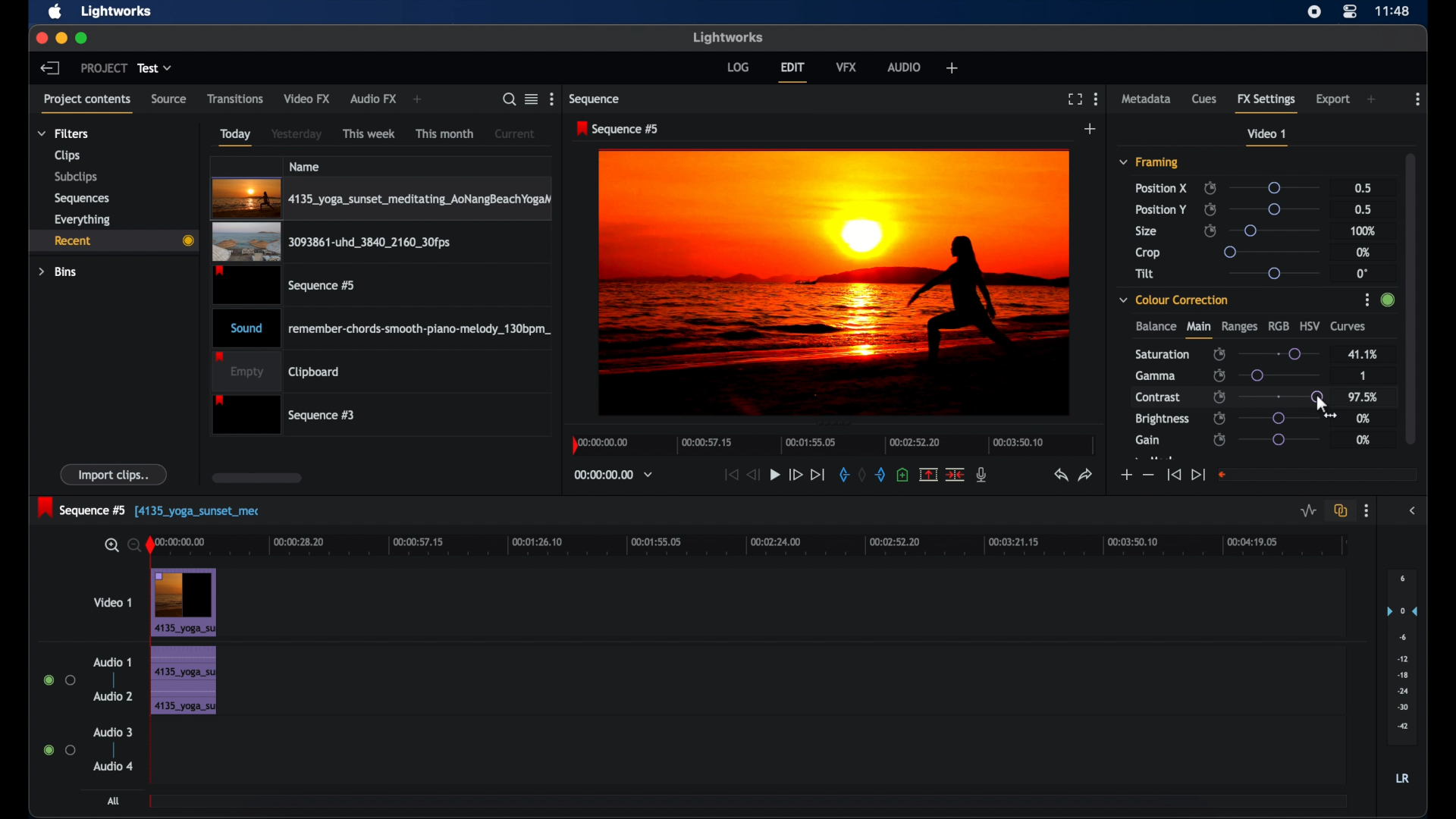  Describe the element at coordinates (156, 68) in the screenshot. I see `test` at that location.